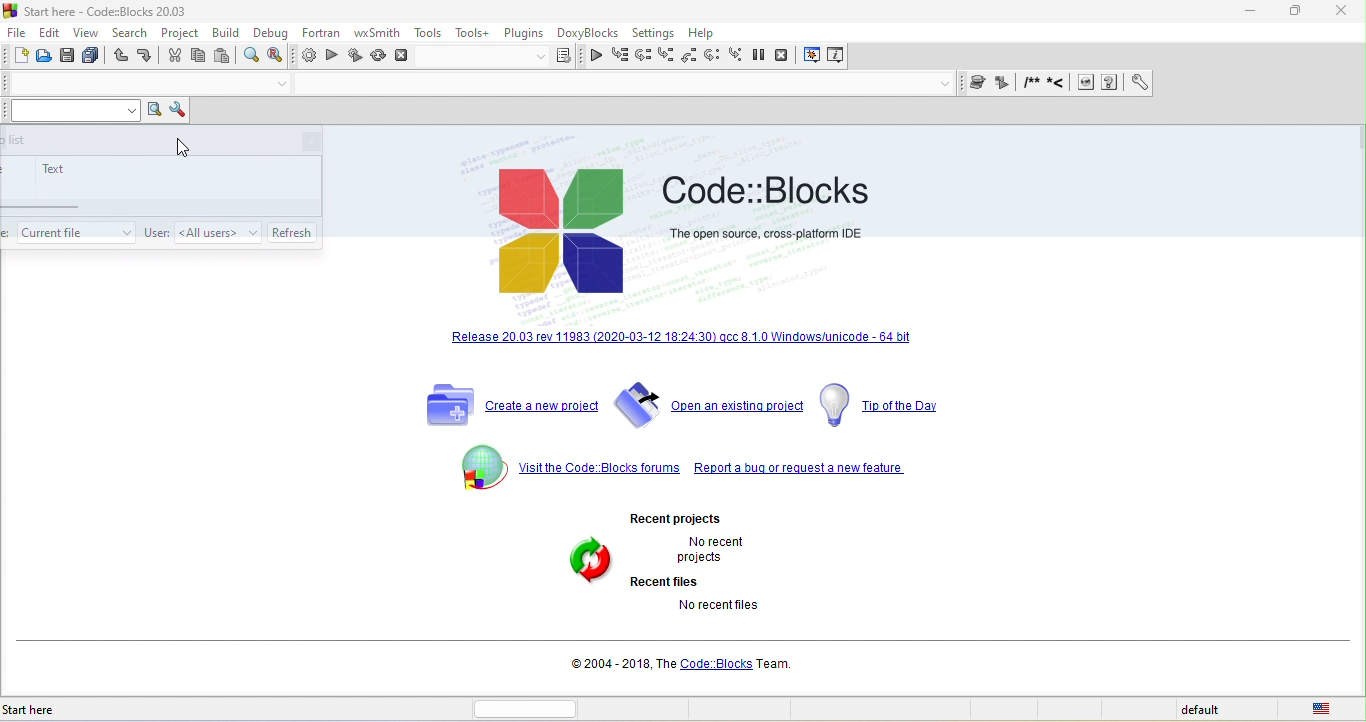 This screenshot has width=1366, height=722. Describe the element at coordinates (377, 32) in the screenshot. I see `wxsmith` at that location.